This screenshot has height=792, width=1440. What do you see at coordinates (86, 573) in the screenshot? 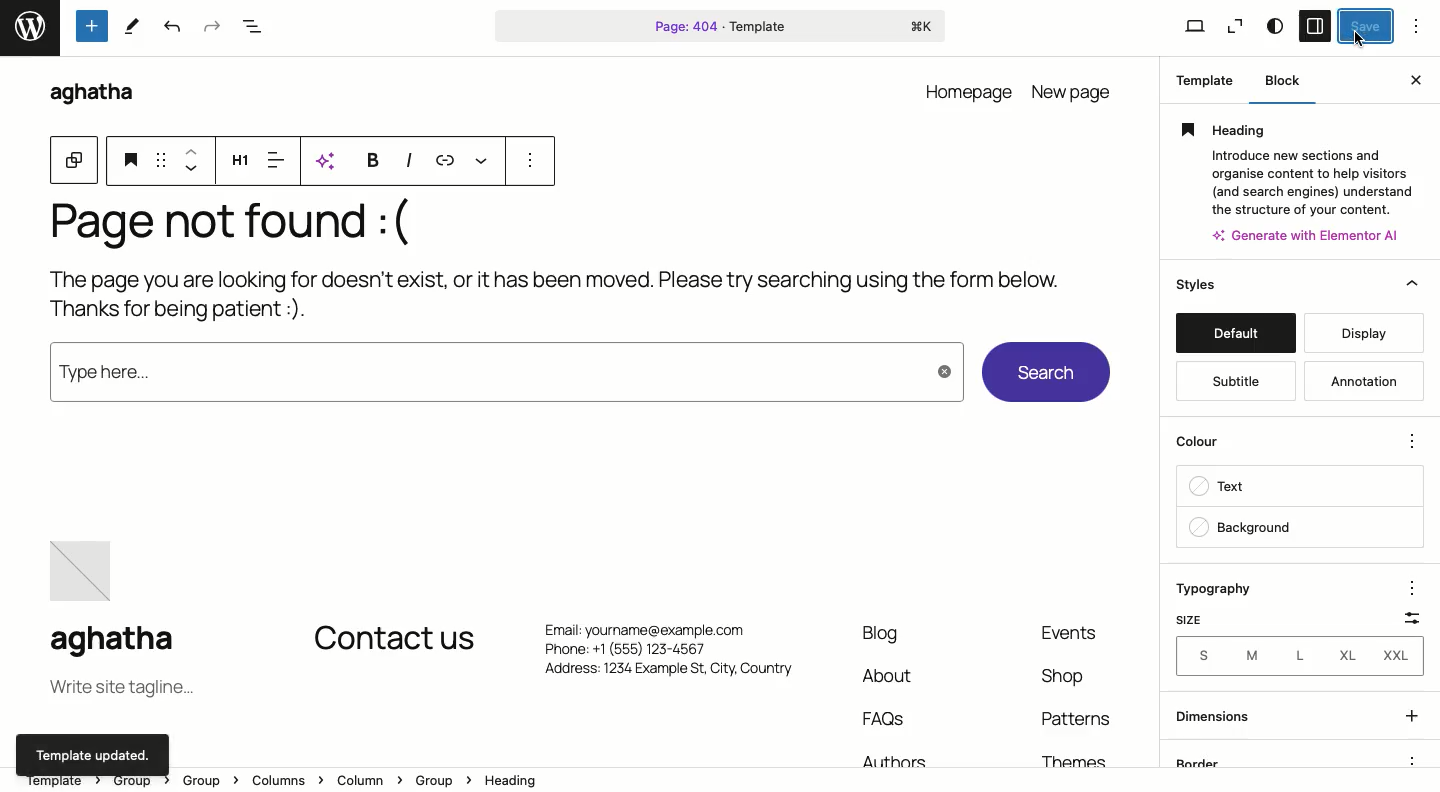
I see `image placeholder` at bounding box center [86, 573].